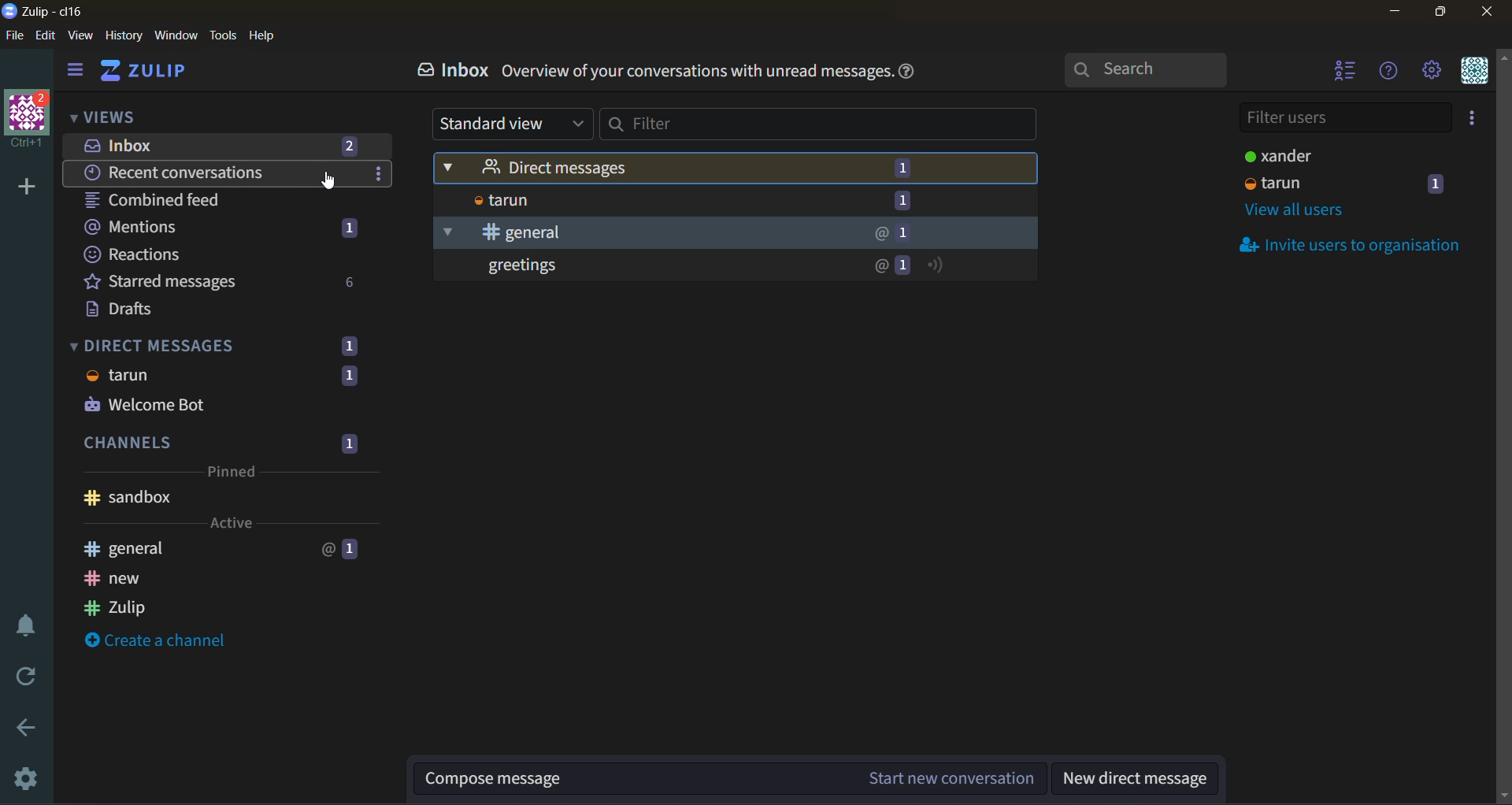  What do you see at coordinates (906, 233) in the screenshot?
I see `1 message` at bounding box center [906, 233].